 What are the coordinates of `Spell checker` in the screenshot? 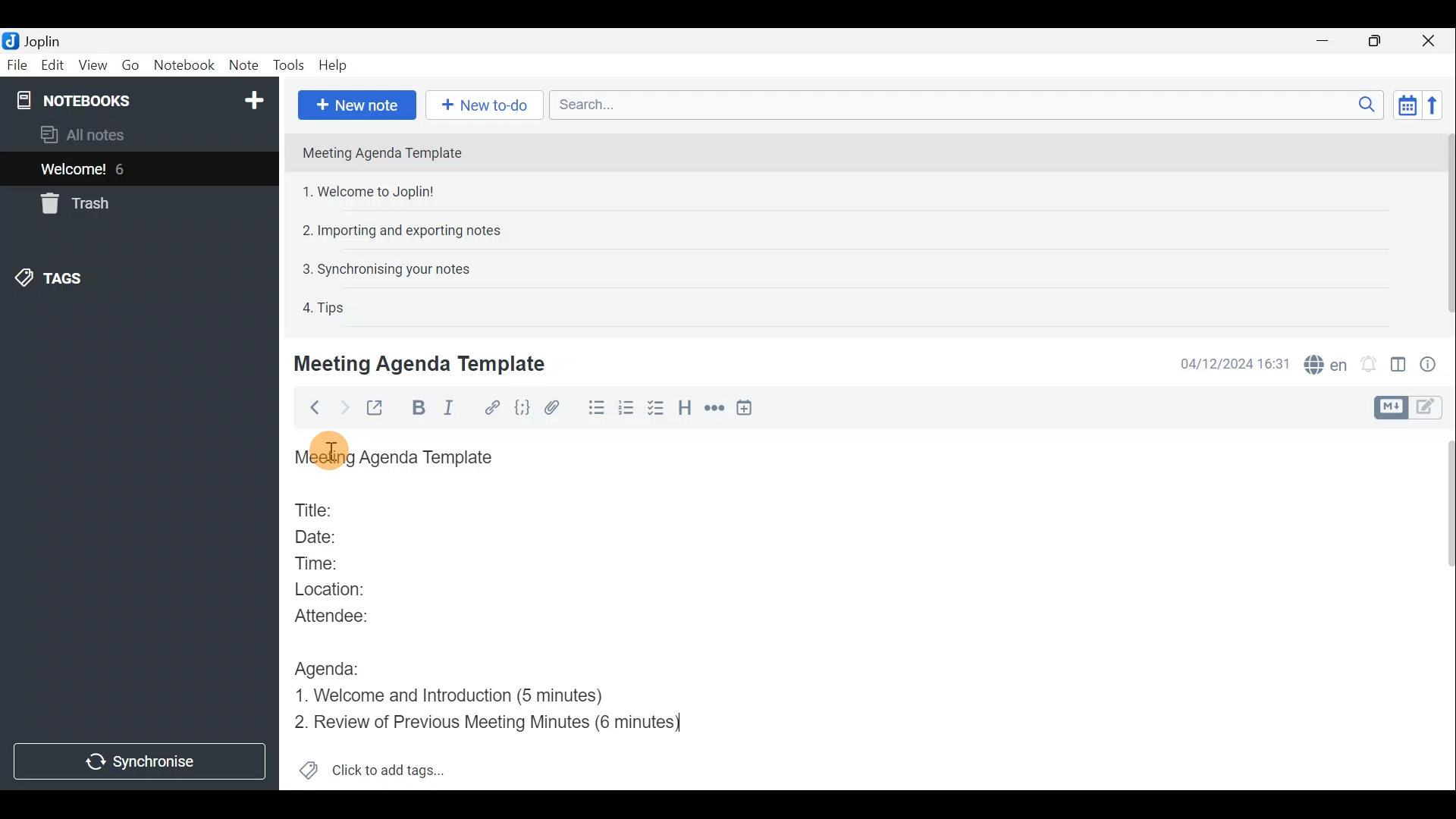 It's located at (1327, 362).